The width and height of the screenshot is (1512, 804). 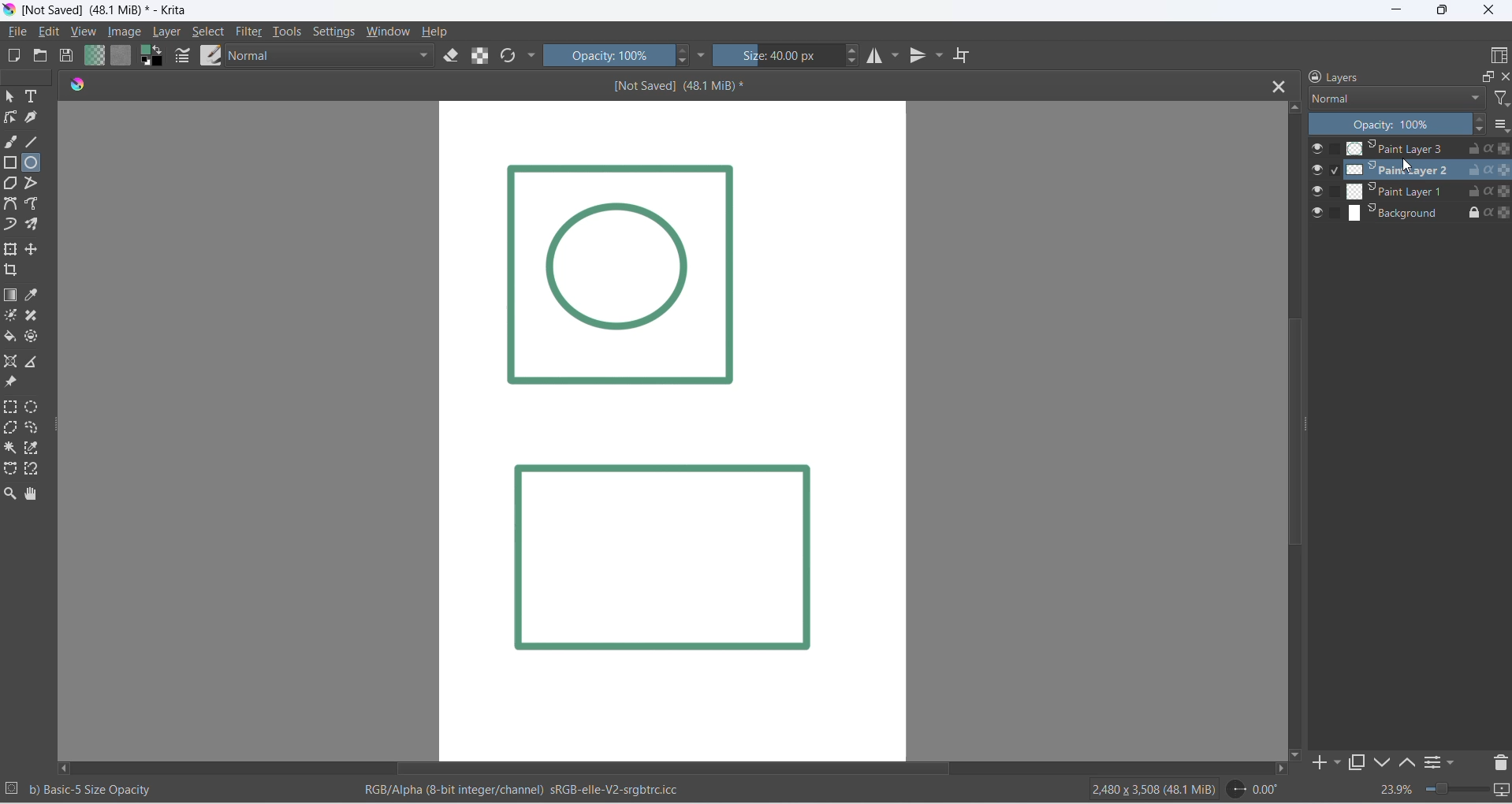 What do you see at coordinates (13, 184) in the screenshot?
I see `polygon tool` at bounding box center [13, 184].